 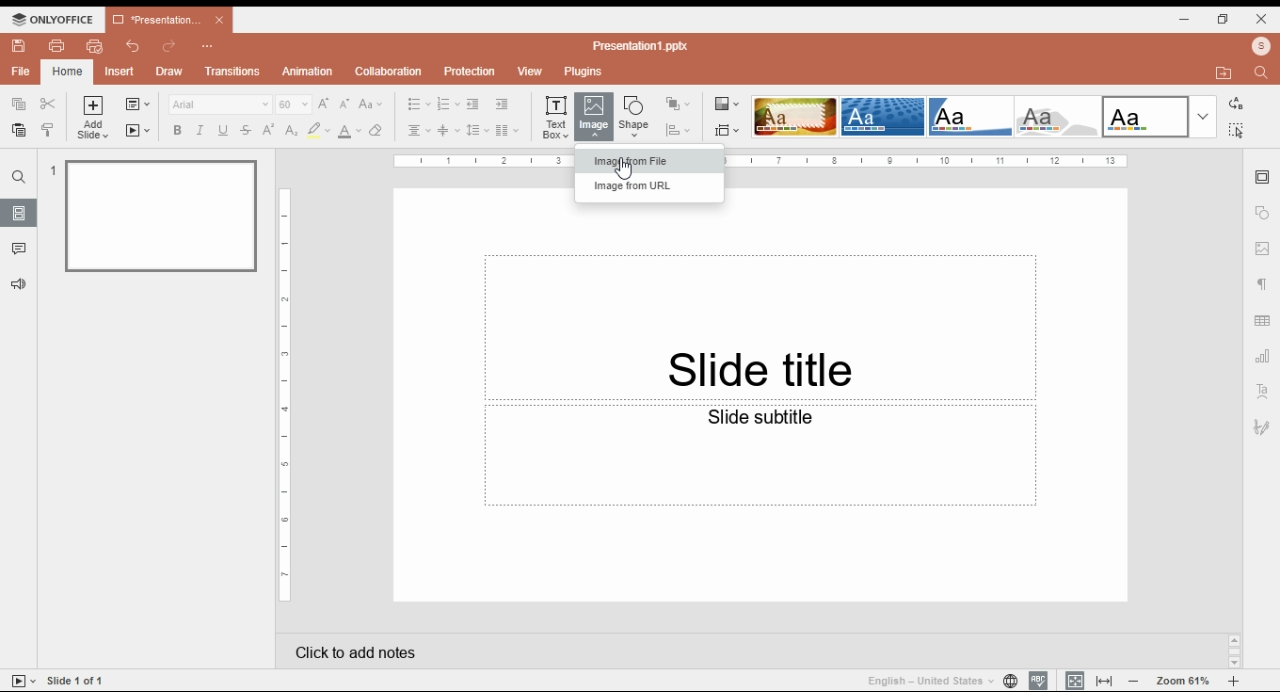 What do you see at coordinates (1105, 680) in the screenshot?
I see `fit to width` at bounding box center [1105, 680].